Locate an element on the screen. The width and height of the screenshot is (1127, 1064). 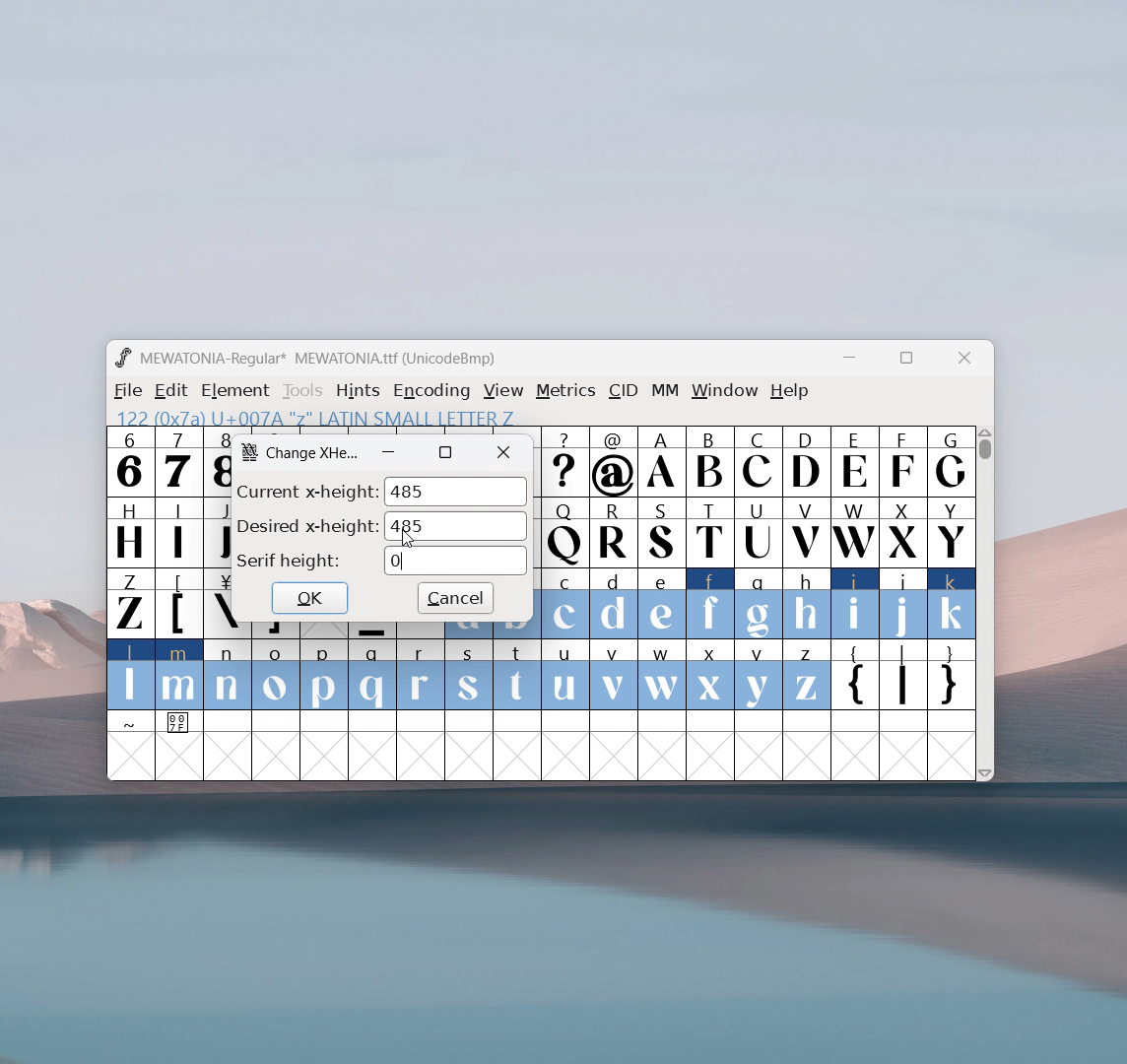
J is located at coordinates (217, 530).